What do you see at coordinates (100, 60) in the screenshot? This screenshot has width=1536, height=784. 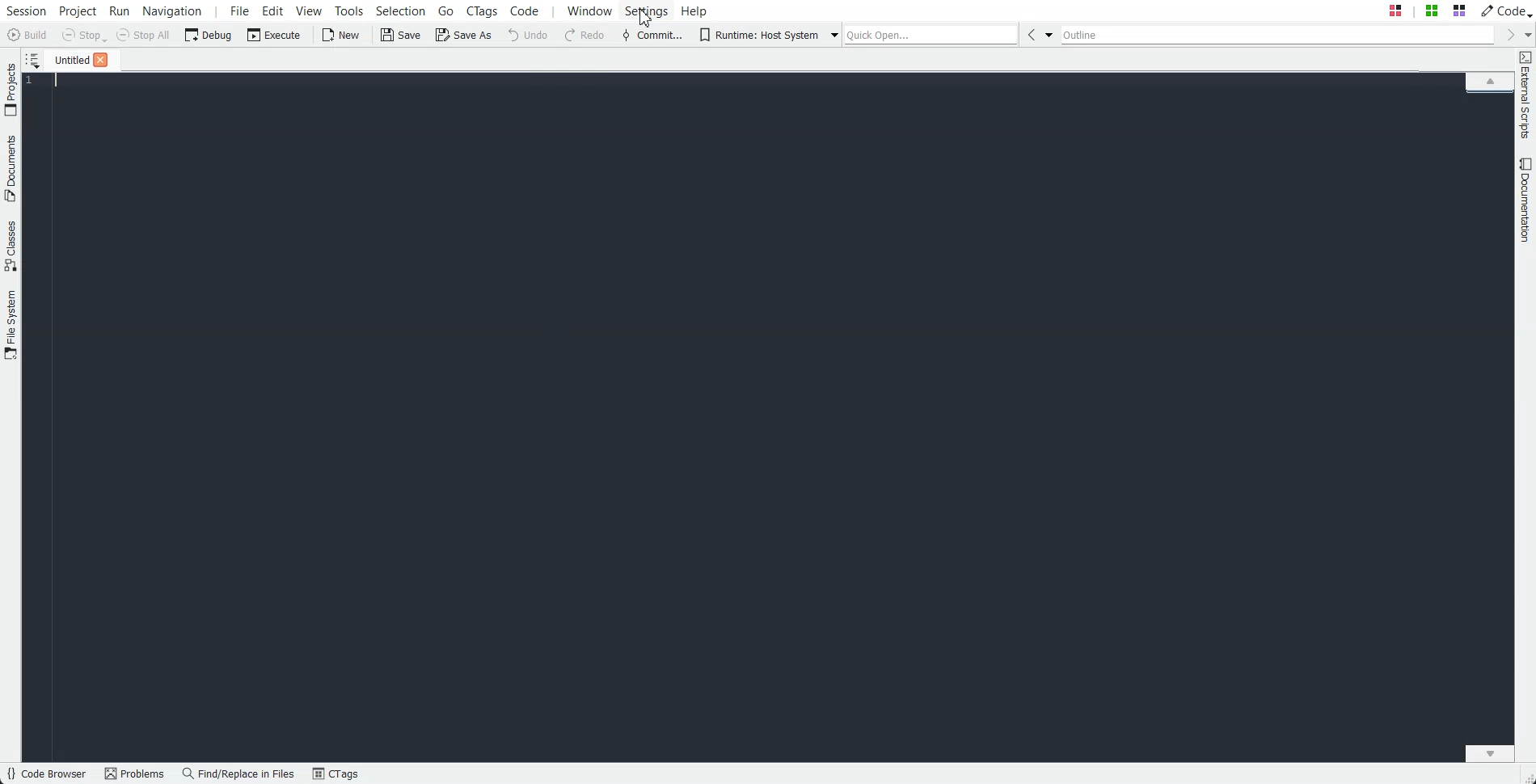 I see `Close` at bounding box center [100, 60].